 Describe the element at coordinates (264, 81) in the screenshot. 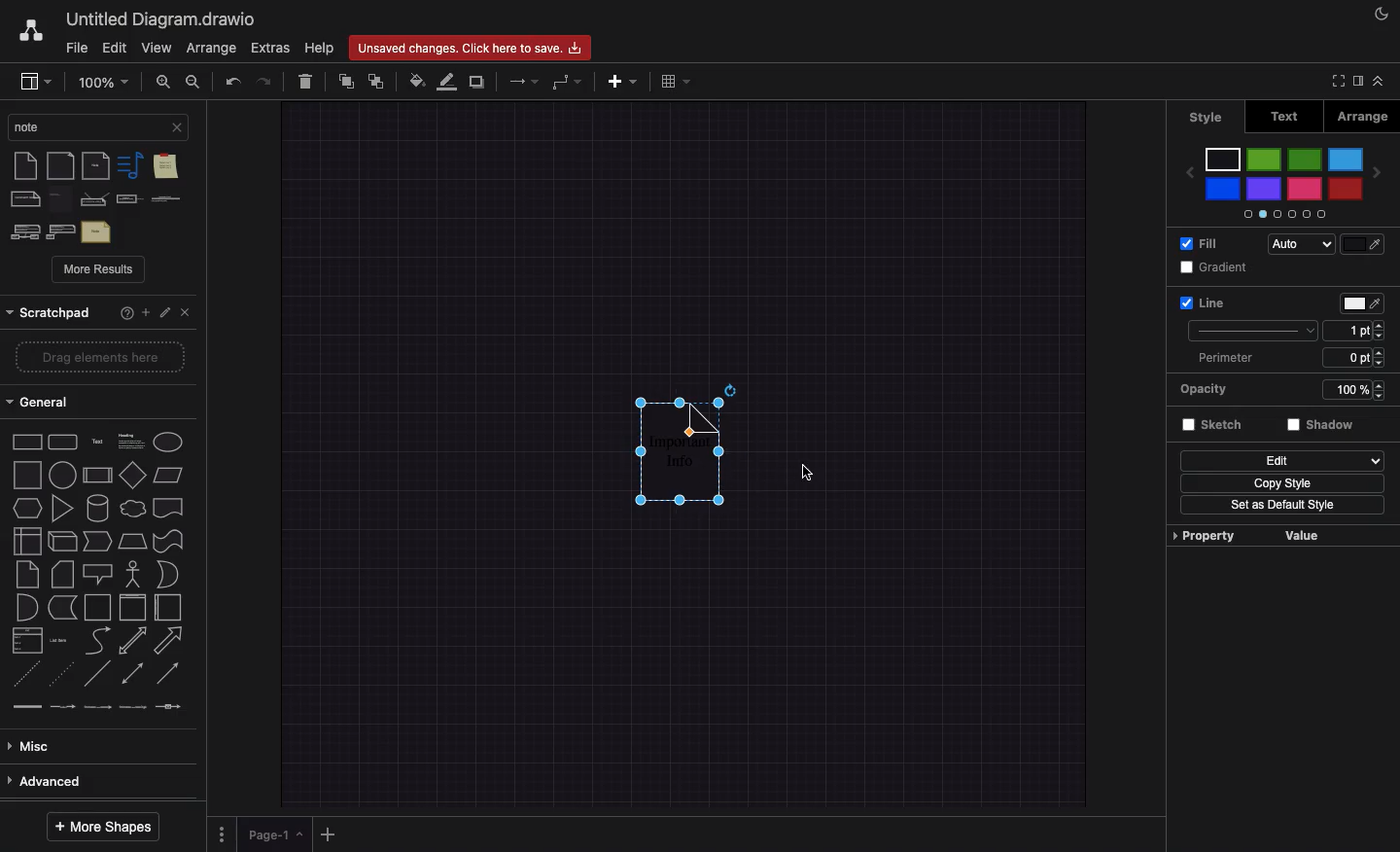

I see `Redo` at that location.